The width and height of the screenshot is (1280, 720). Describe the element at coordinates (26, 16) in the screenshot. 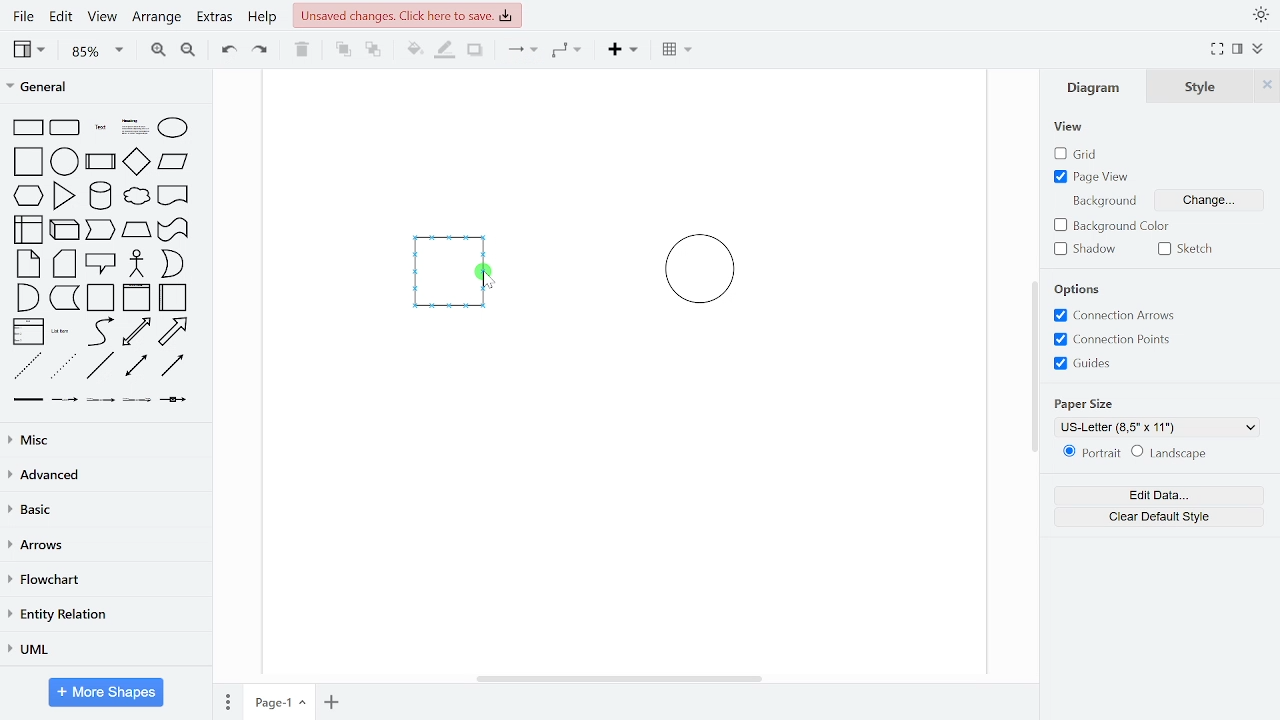

I see `file` at that location.